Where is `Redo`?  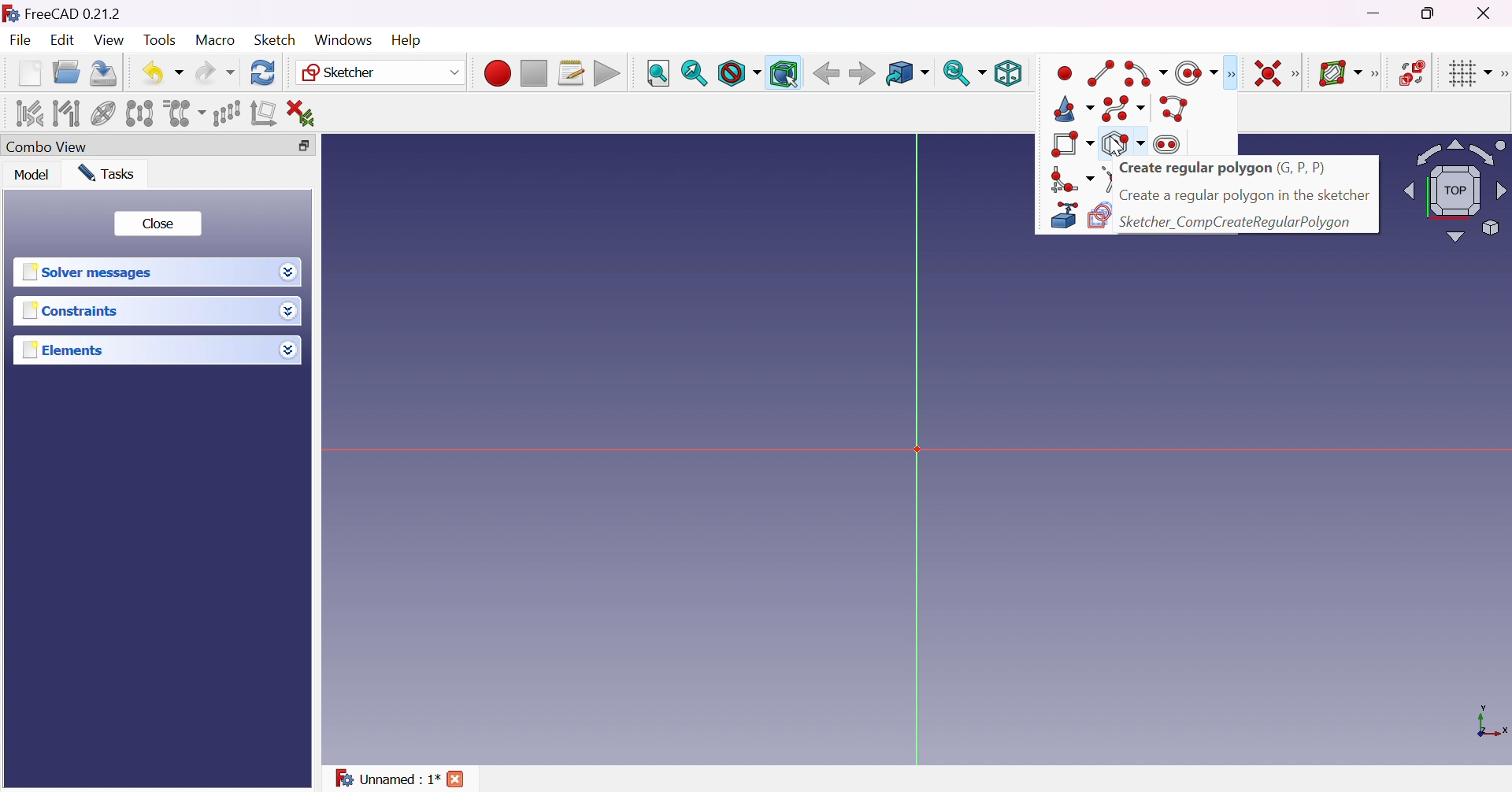 Redo is located at coordinates (215, 72).